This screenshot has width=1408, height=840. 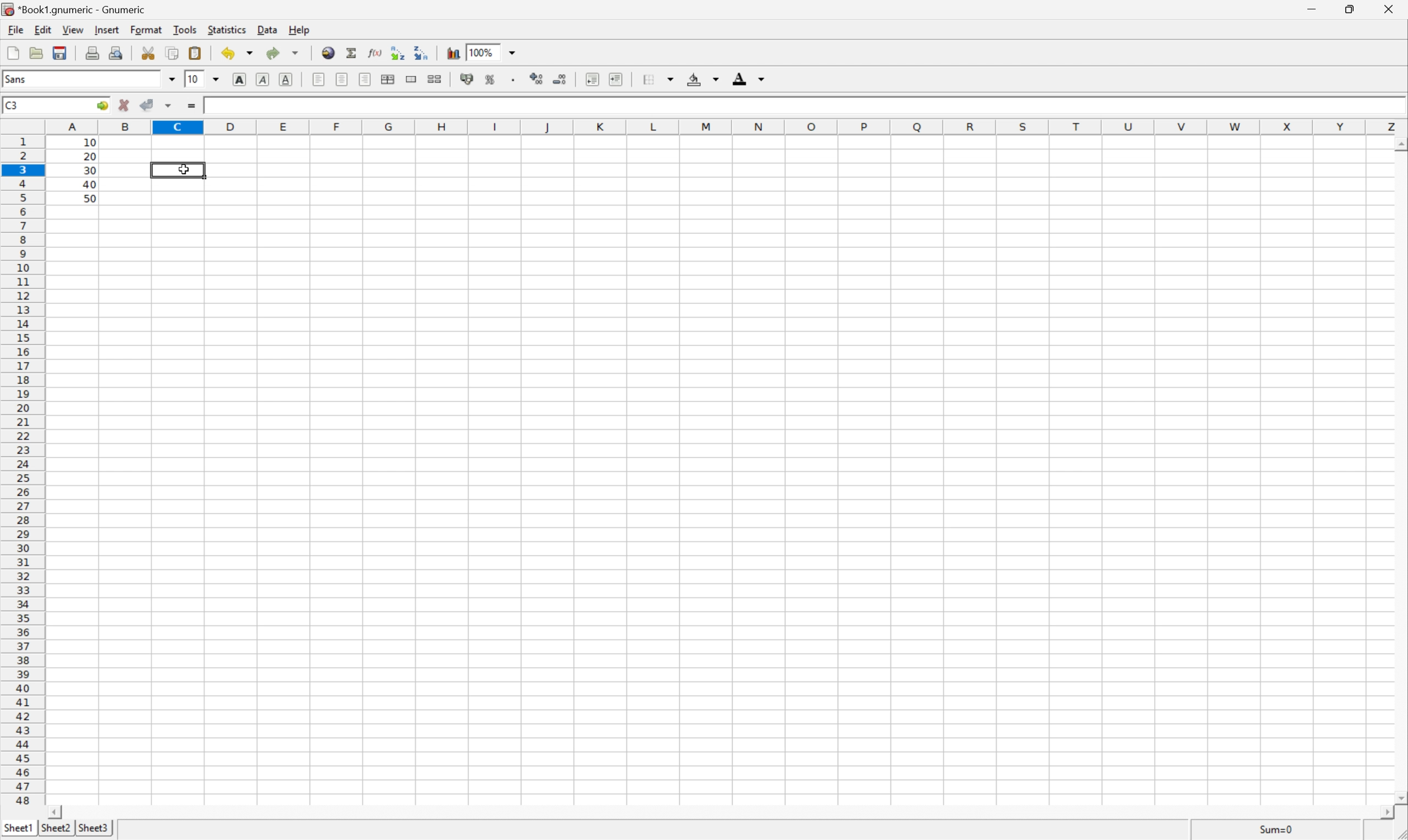 I want to click on Sheet2, so click(x=55, y=829).